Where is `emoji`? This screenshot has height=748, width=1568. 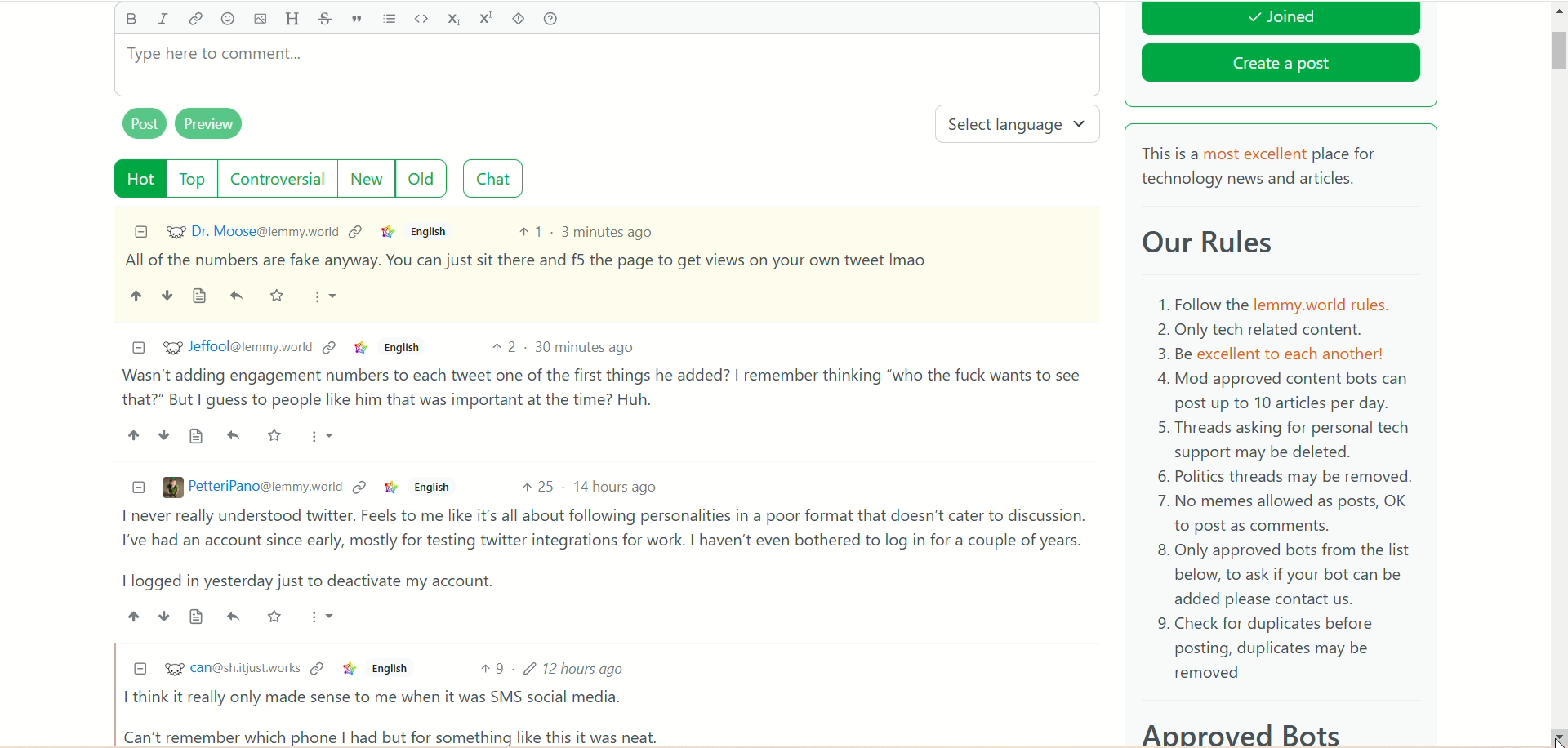
emoji is located at coordinates (228, 20).